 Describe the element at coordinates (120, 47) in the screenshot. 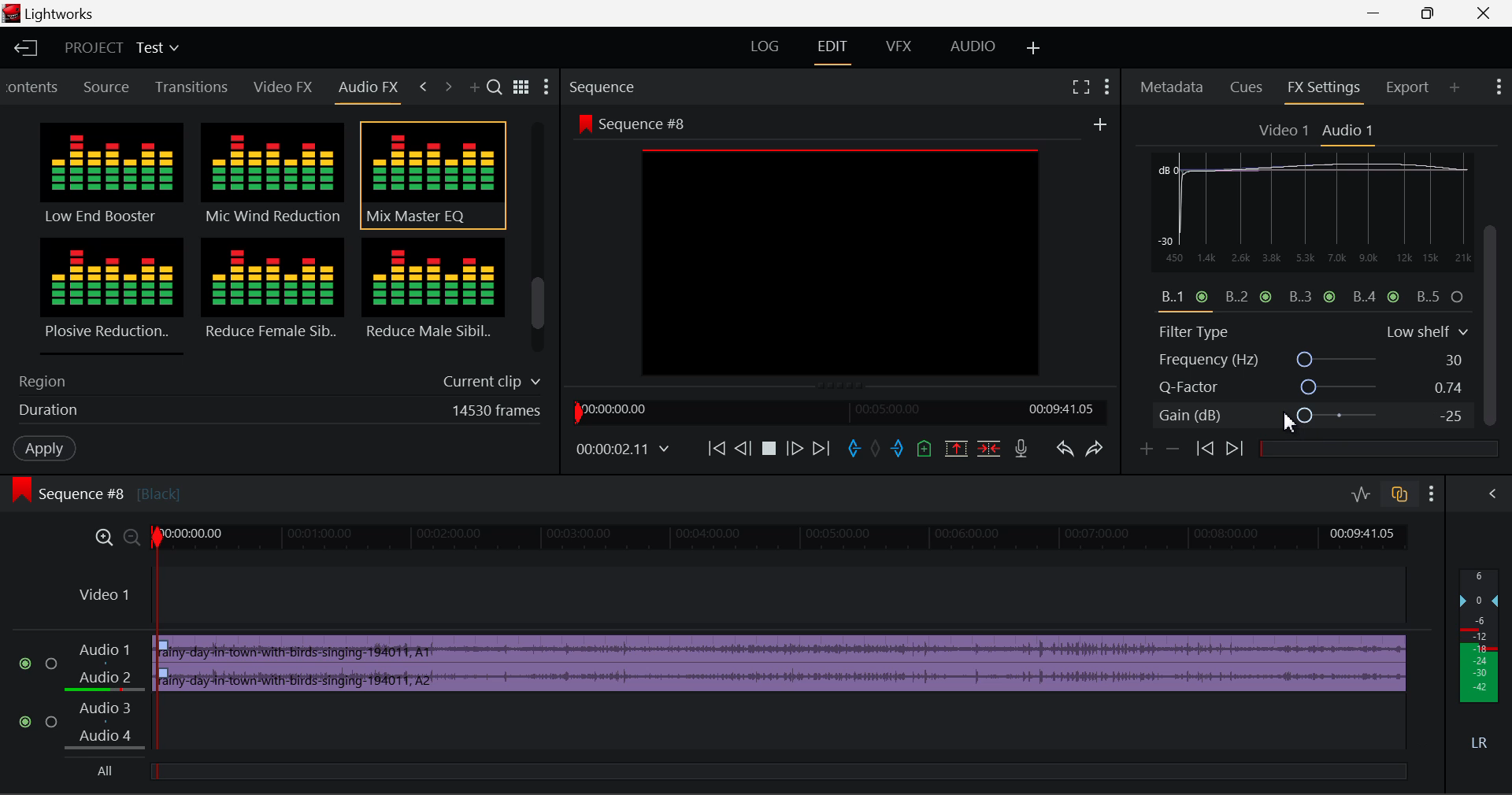

I see `Project Title` at that location.